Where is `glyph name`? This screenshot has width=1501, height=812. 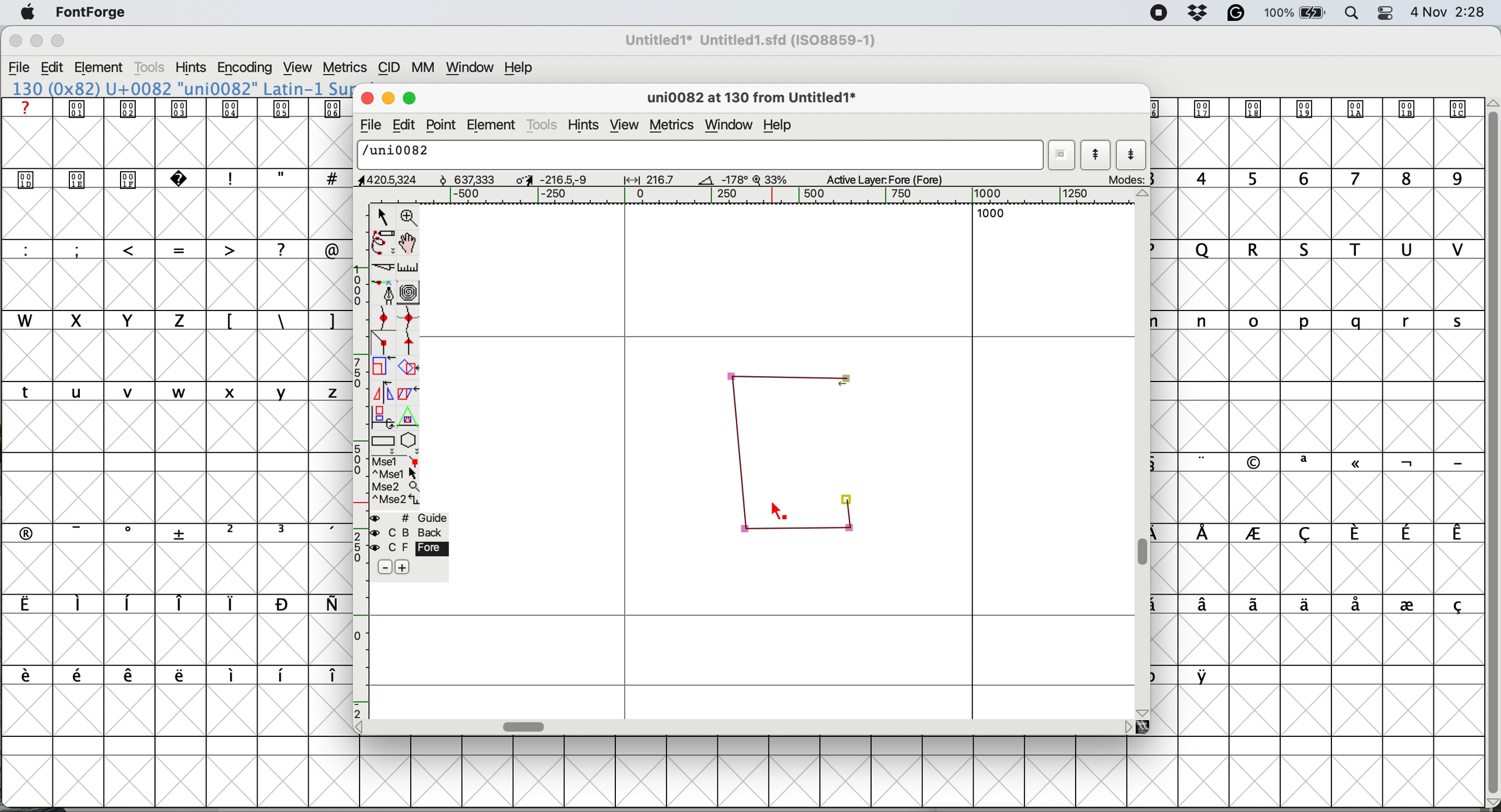
glyph name is located at coordinates (749, 99).